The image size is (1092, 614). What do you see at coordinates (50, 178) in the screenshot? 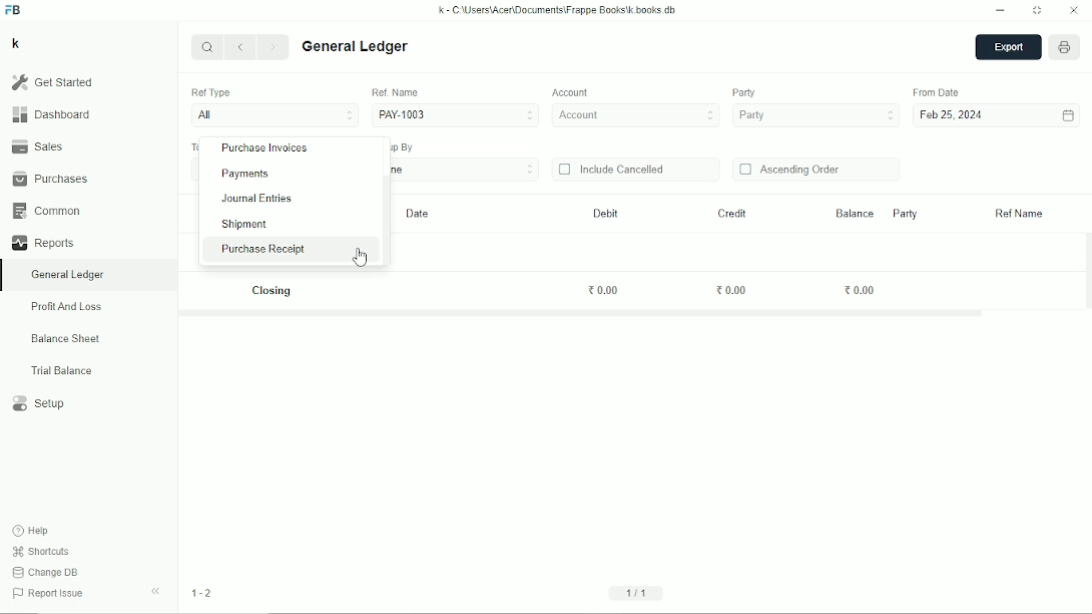
I see `Purchases` at bounding box center [50, 178].